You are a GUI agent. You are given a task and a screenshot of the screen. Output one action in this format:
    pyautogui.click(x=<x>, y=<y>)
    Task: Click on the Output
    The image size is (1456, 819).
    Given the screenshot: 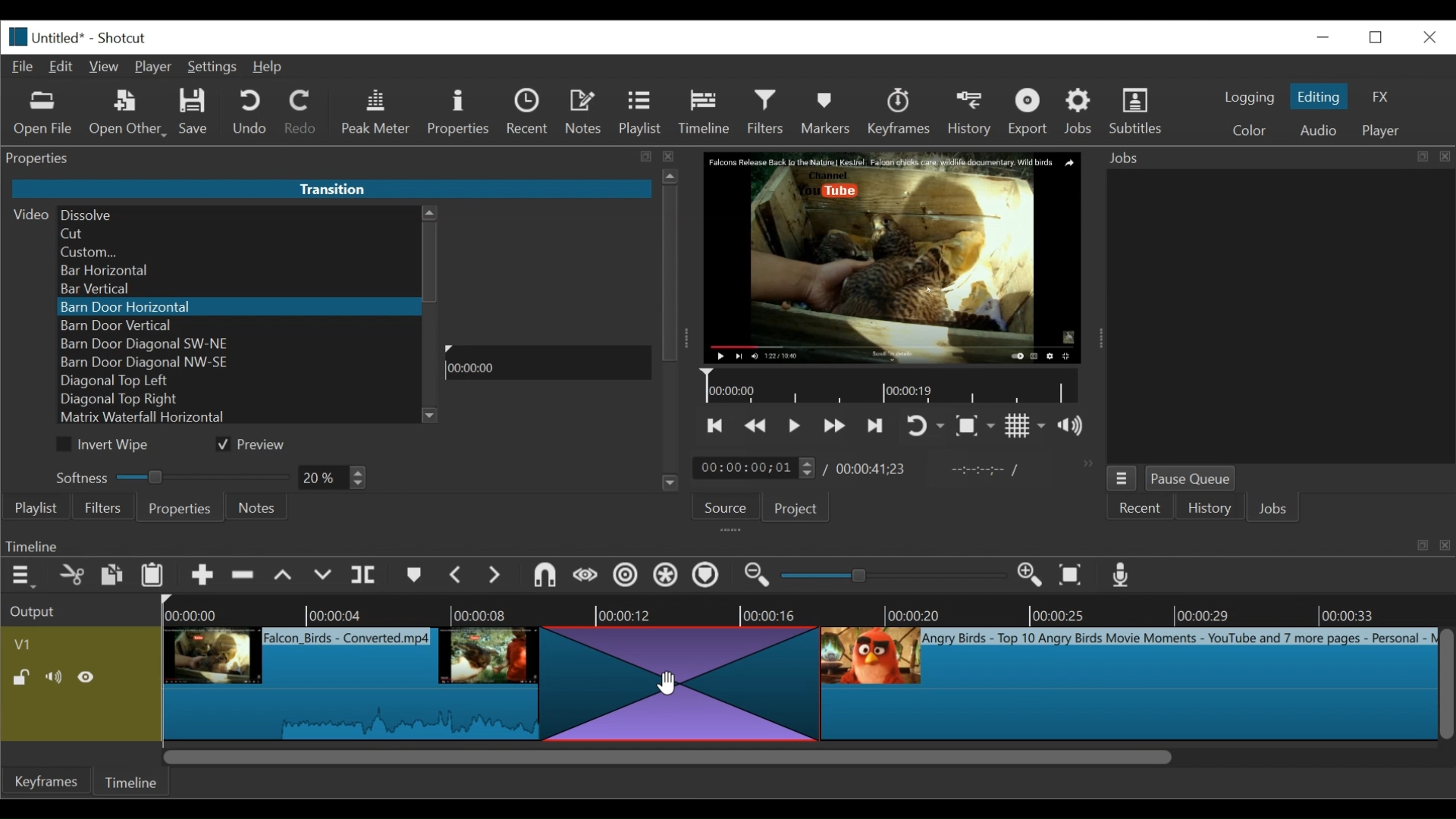 What is the action you would take?
    pyautogui.click(x=78, y=609)
    